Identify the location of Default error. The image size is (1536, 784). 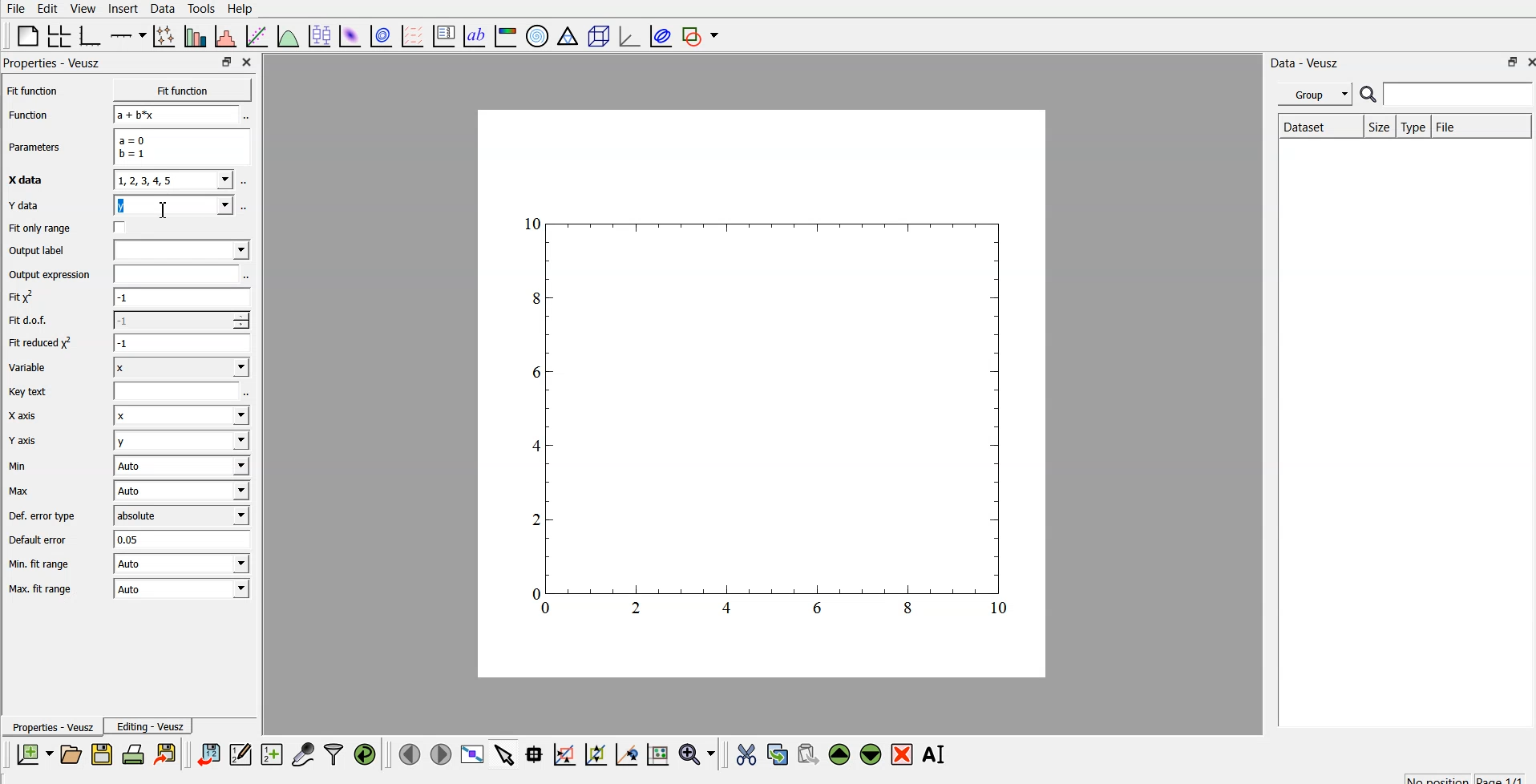
(39, 540).